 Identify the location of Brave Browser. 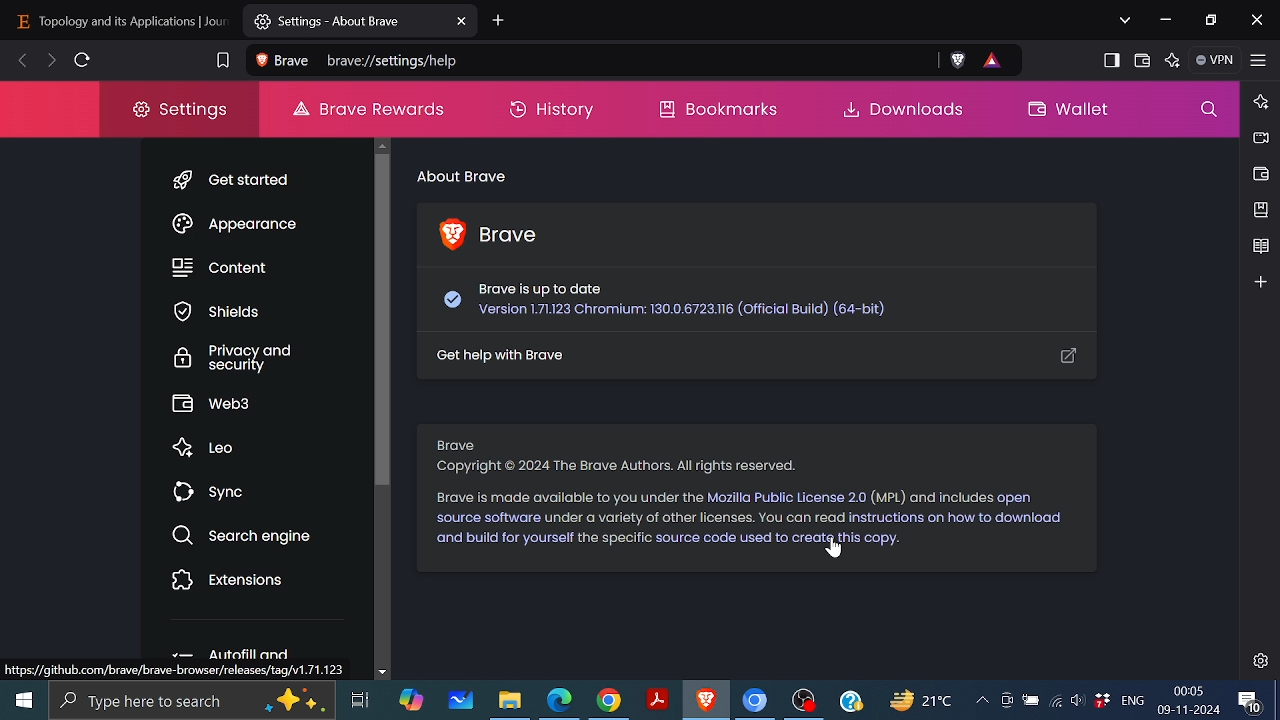
(705, 702).